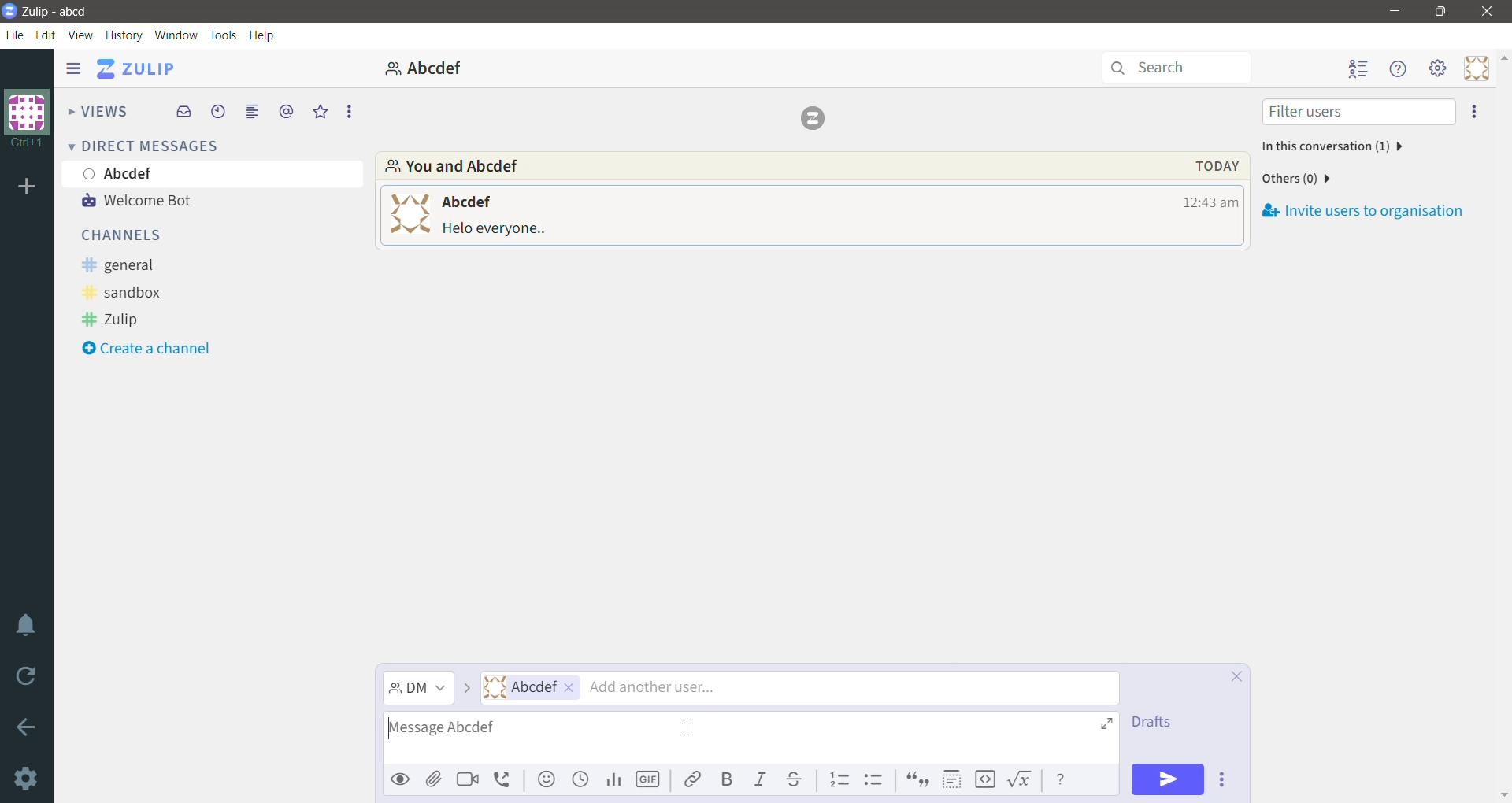  I want to click on Vertical Scroll Bar, so click(1503, 426).